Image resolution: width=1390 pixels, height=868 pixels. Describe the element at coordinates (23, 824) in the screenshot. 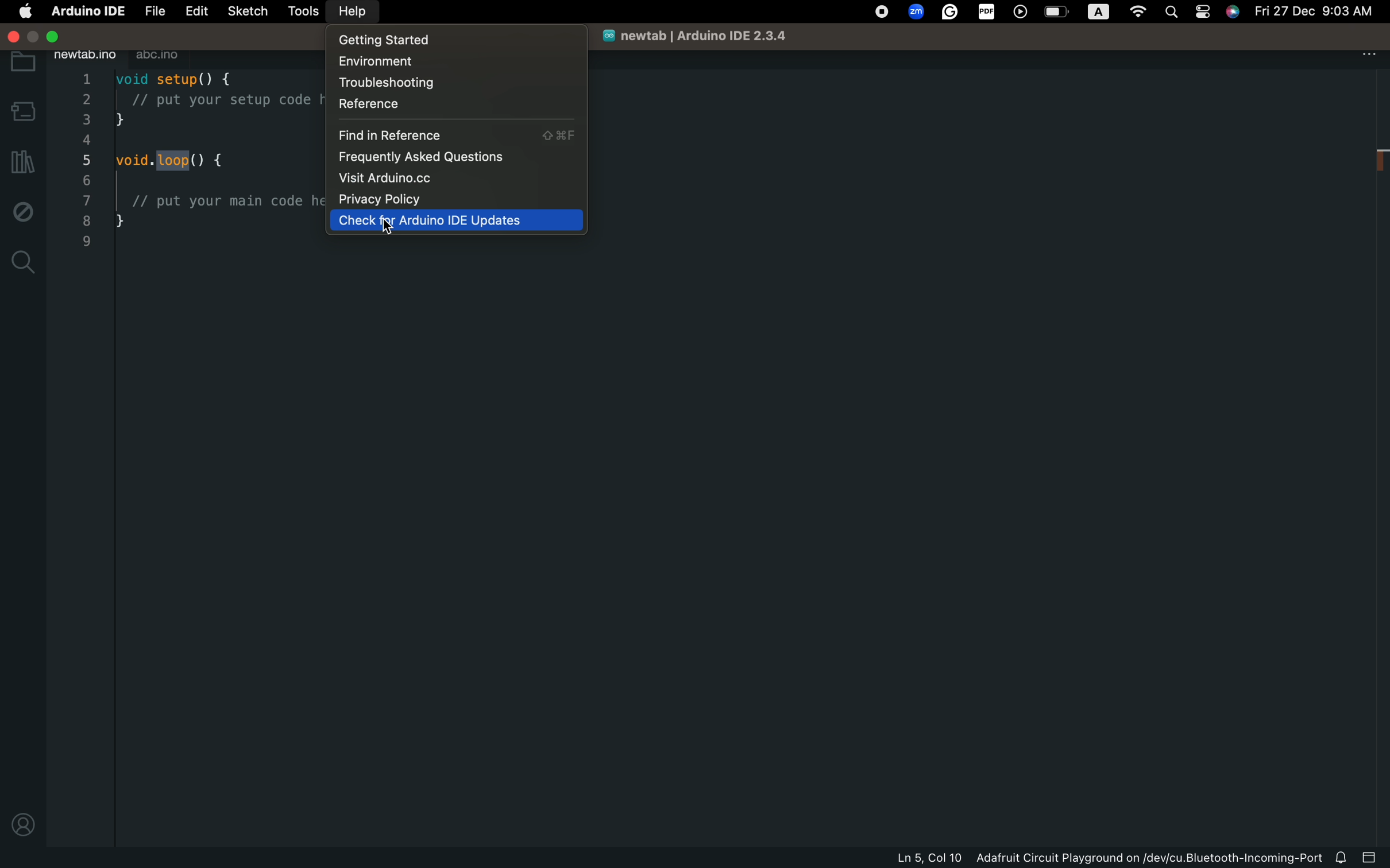

I see `profile` at that location.